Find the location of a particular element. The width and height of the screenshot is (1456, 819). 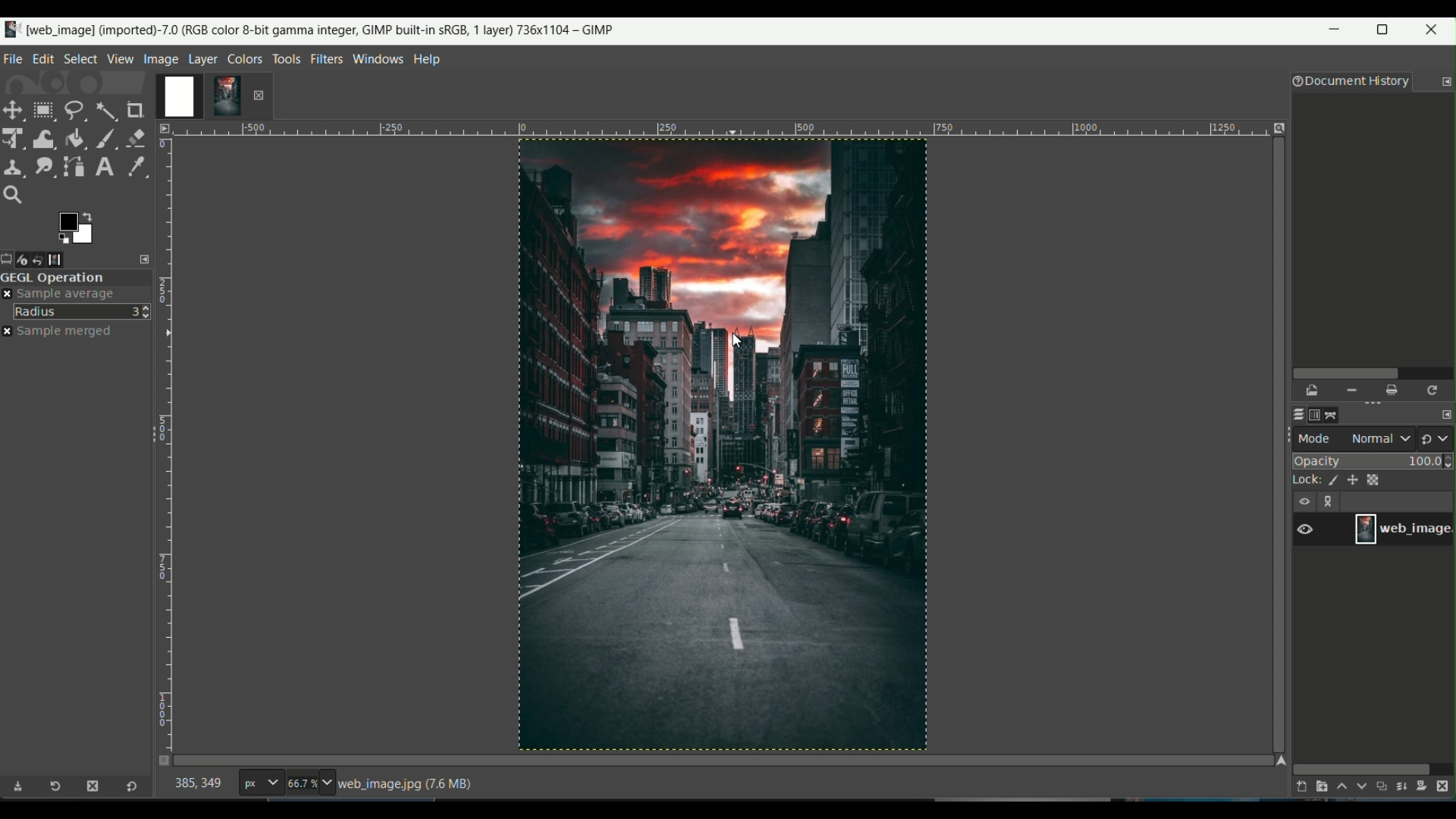

create new layer group is located at coordinates (1320, 786).